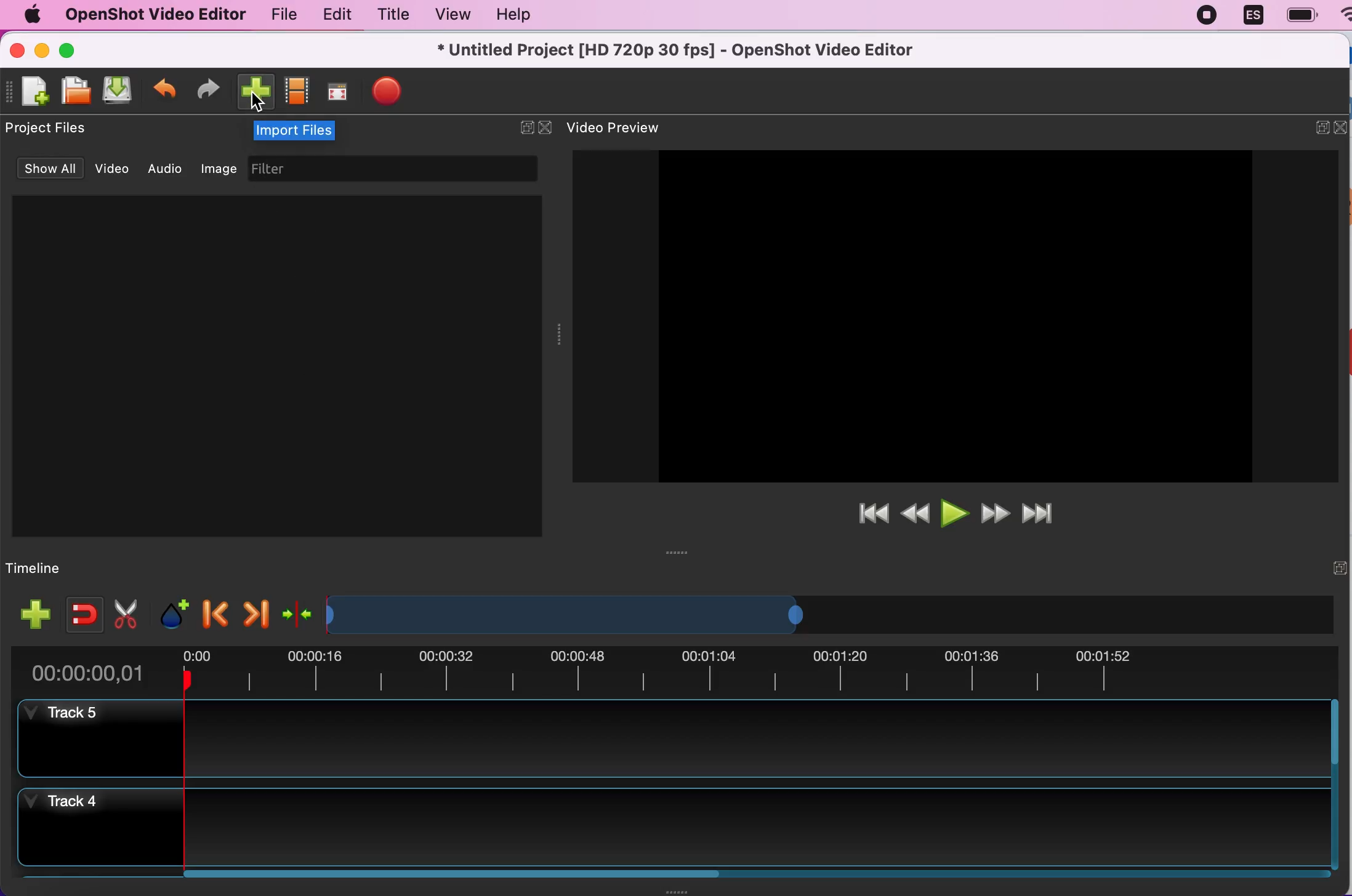 This screenshot has height=896, width=1352. Describe the element at coordinates (46, 569) in the screenshot. I see `timeline` at that location.